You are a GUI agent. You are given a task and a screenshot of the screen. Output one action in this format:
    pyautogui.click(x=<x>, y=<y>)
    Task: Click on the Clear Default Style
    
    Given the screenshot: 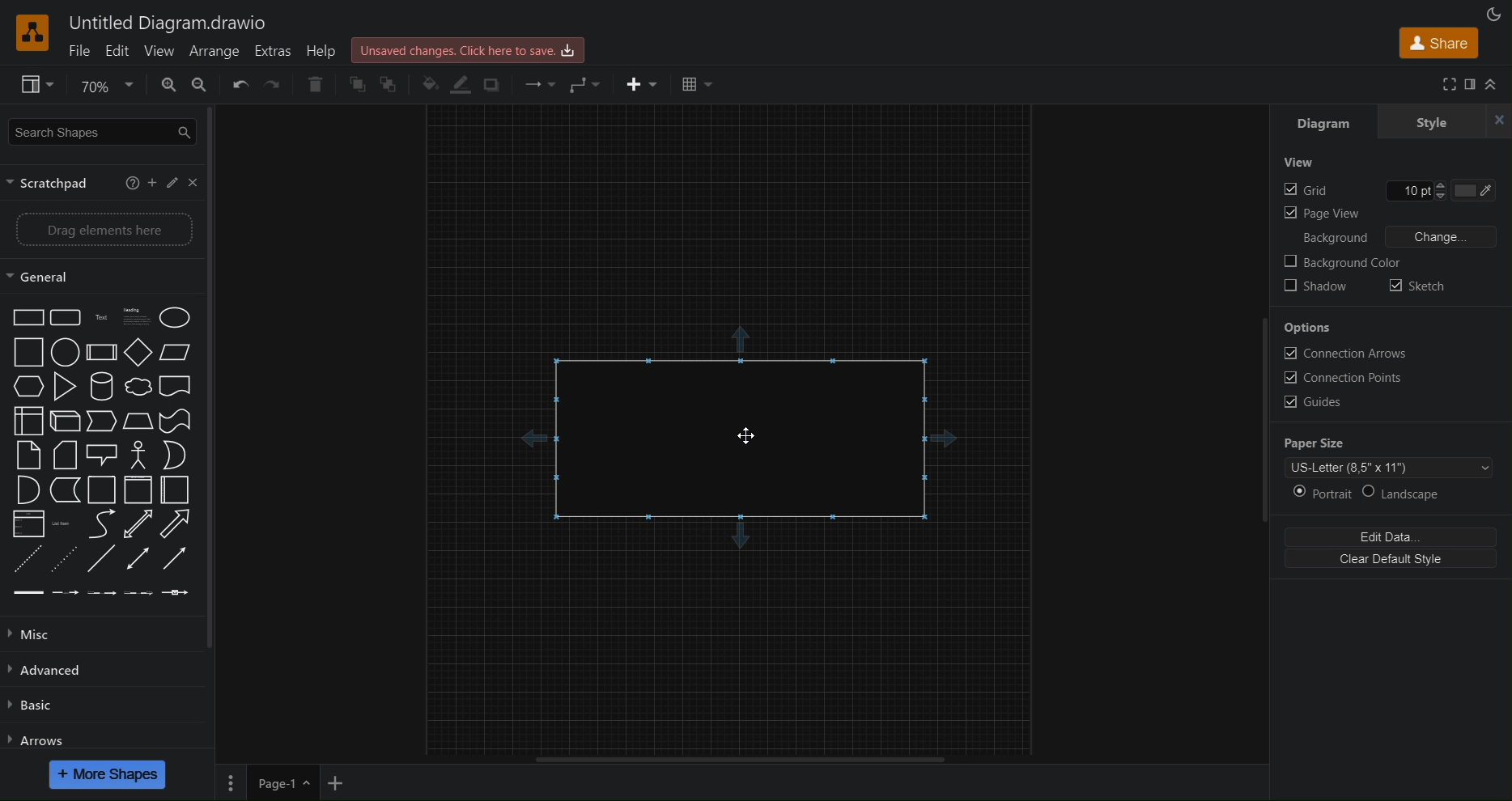 What is the action you would take?
    pyautogui.click(x=1390, y=562)
    